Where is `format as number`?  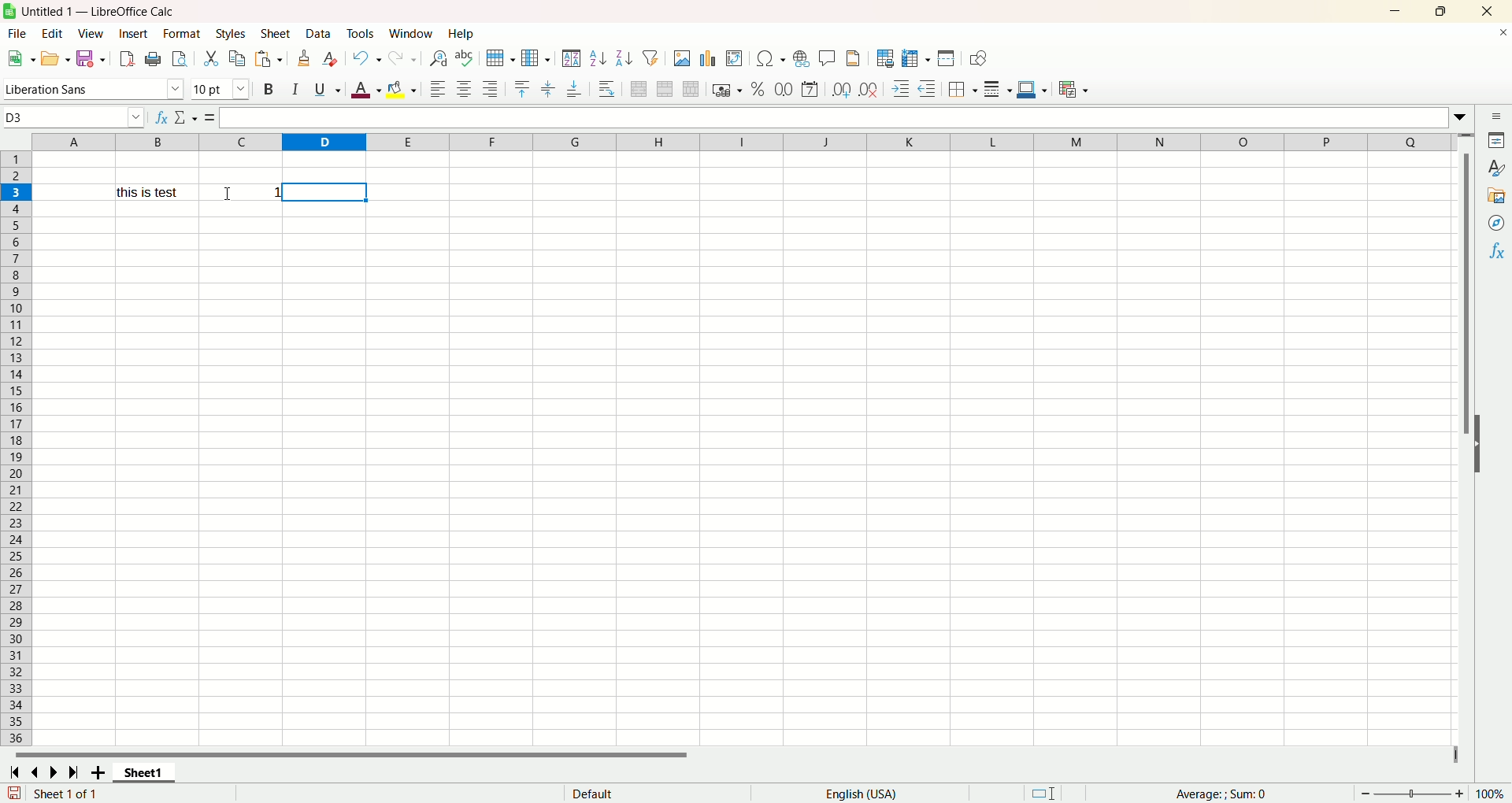 format as number is located at coordinates (784, 87).